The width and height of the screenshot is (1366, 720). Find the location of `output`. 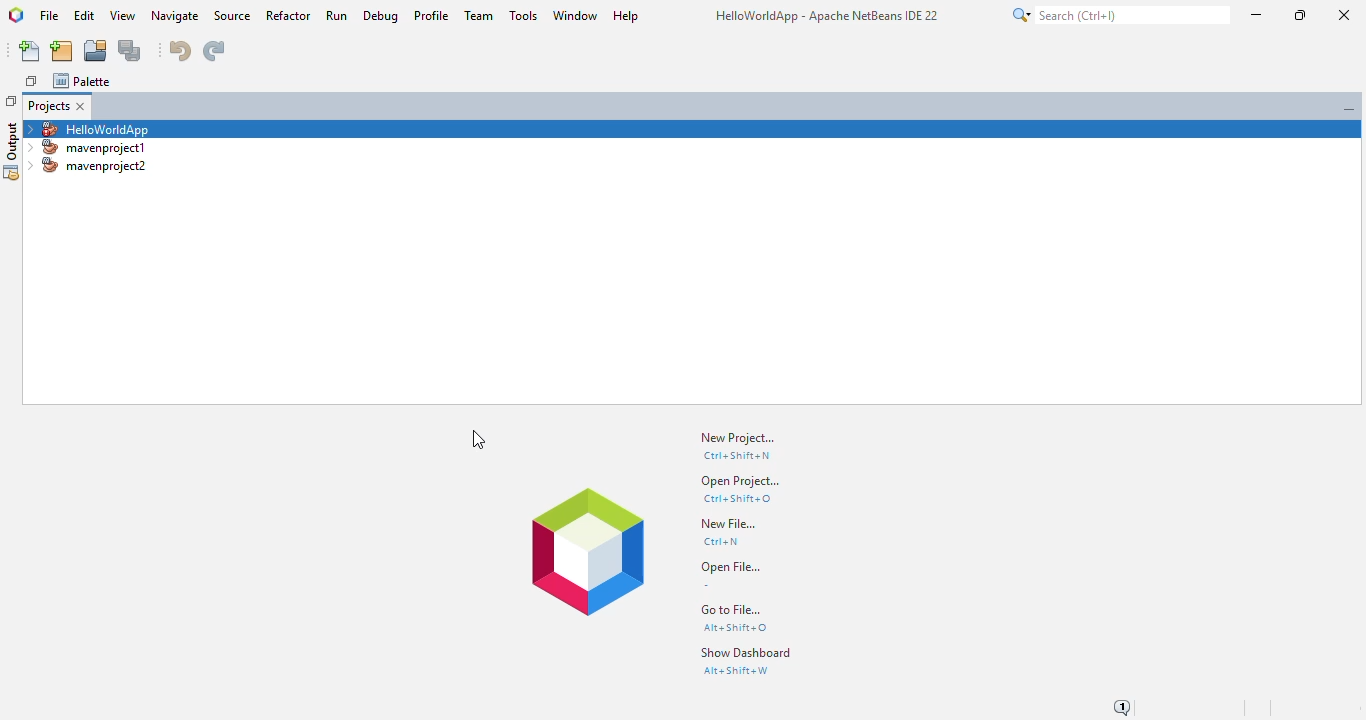

output is located at coordinates (11, 151).